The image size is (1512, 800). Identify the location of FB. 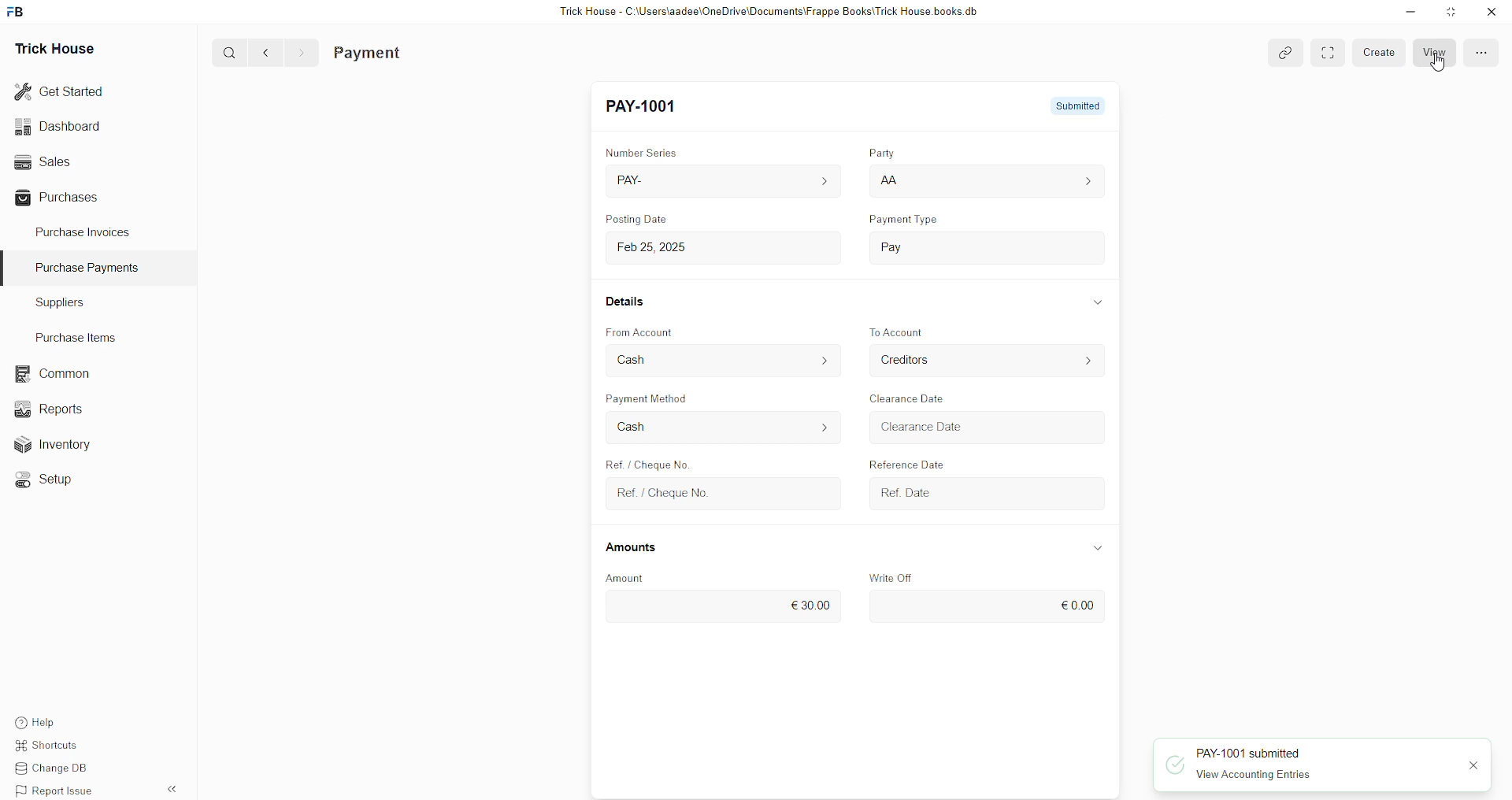
(18, 10).